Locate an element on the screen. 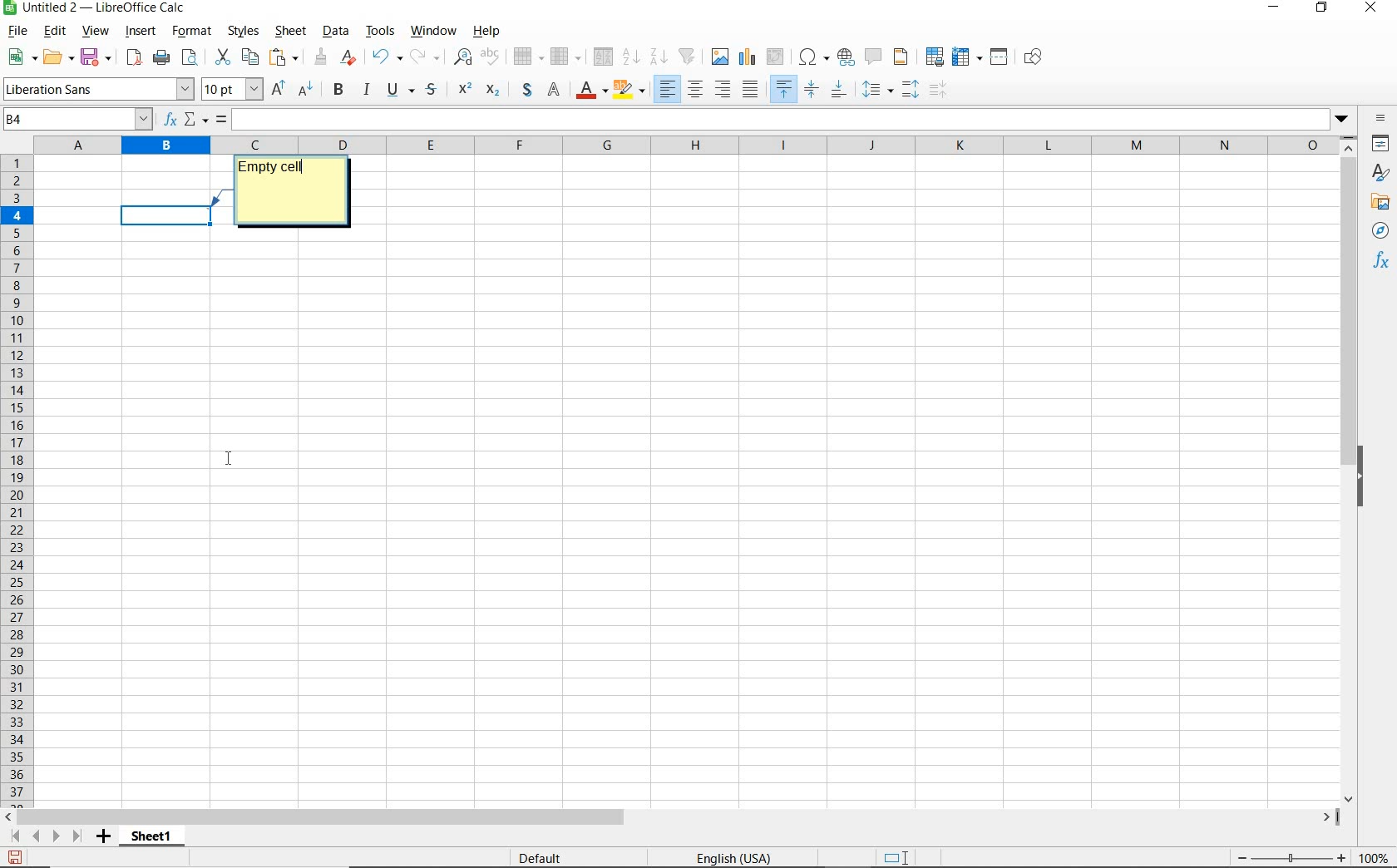  background color is located at coordinates (629, 91).